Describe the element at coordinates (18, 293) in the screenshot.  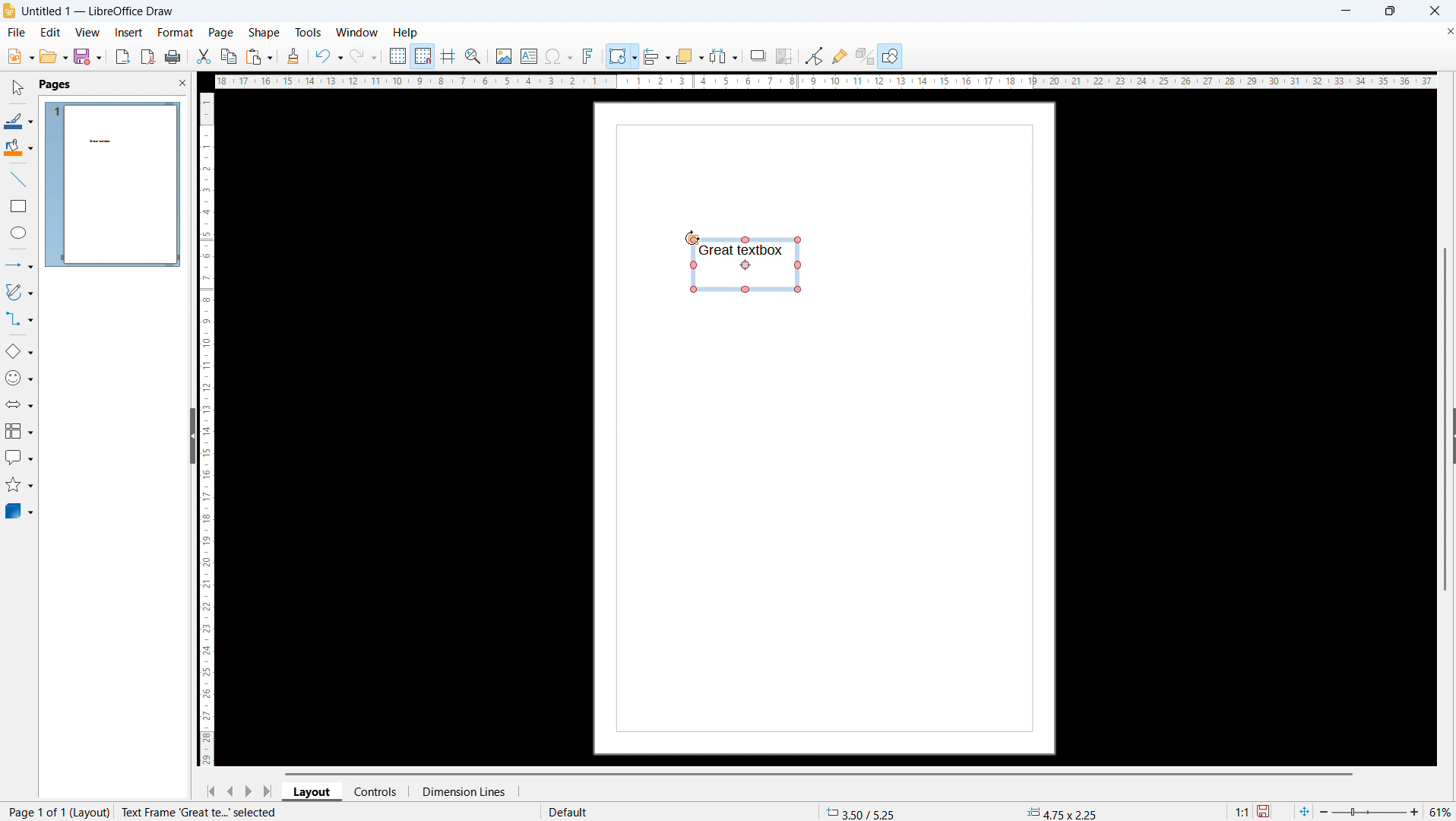
I see `curves and polygons` at that location.